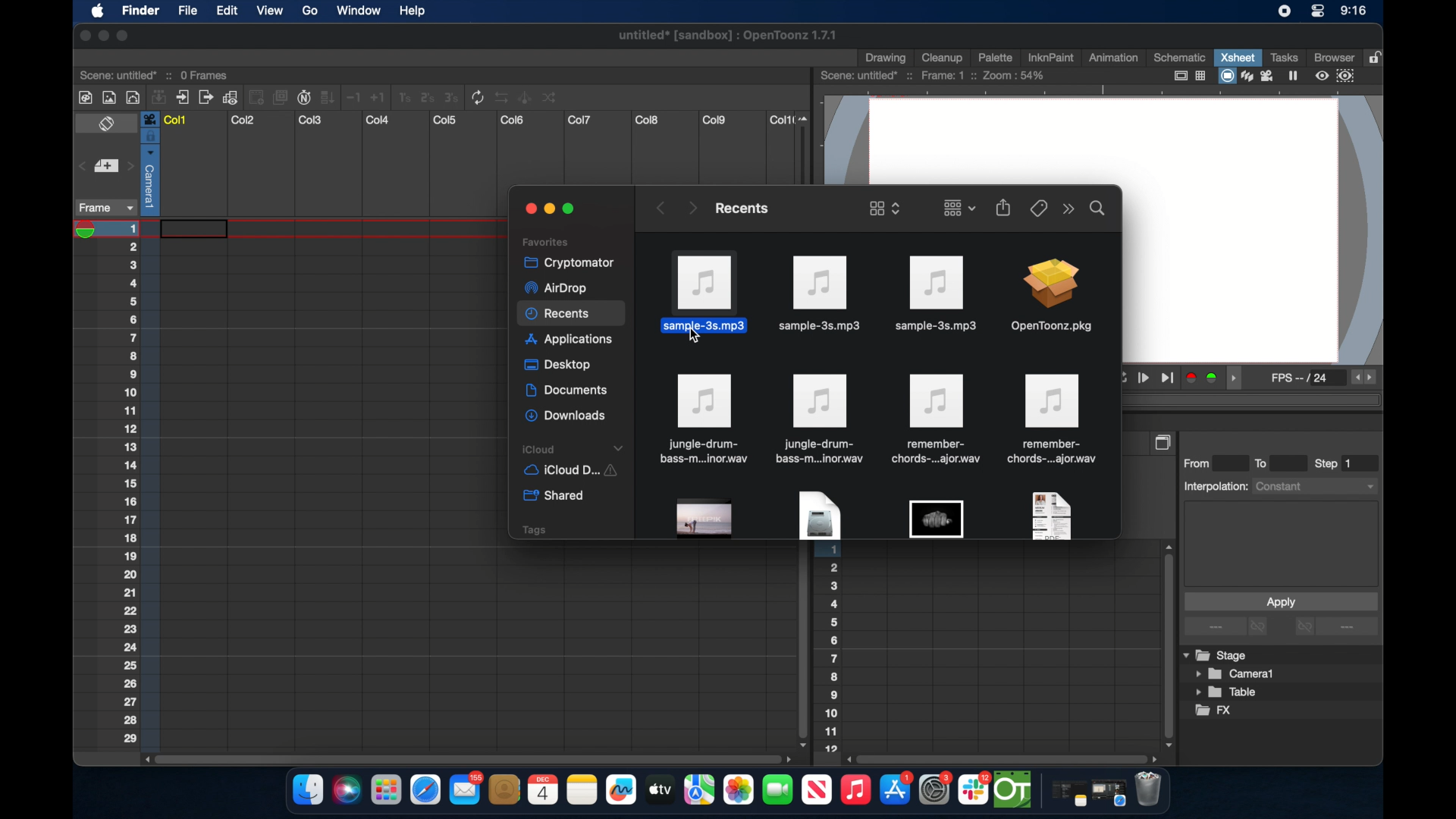  I want to click on safari, so click(1109, 793).